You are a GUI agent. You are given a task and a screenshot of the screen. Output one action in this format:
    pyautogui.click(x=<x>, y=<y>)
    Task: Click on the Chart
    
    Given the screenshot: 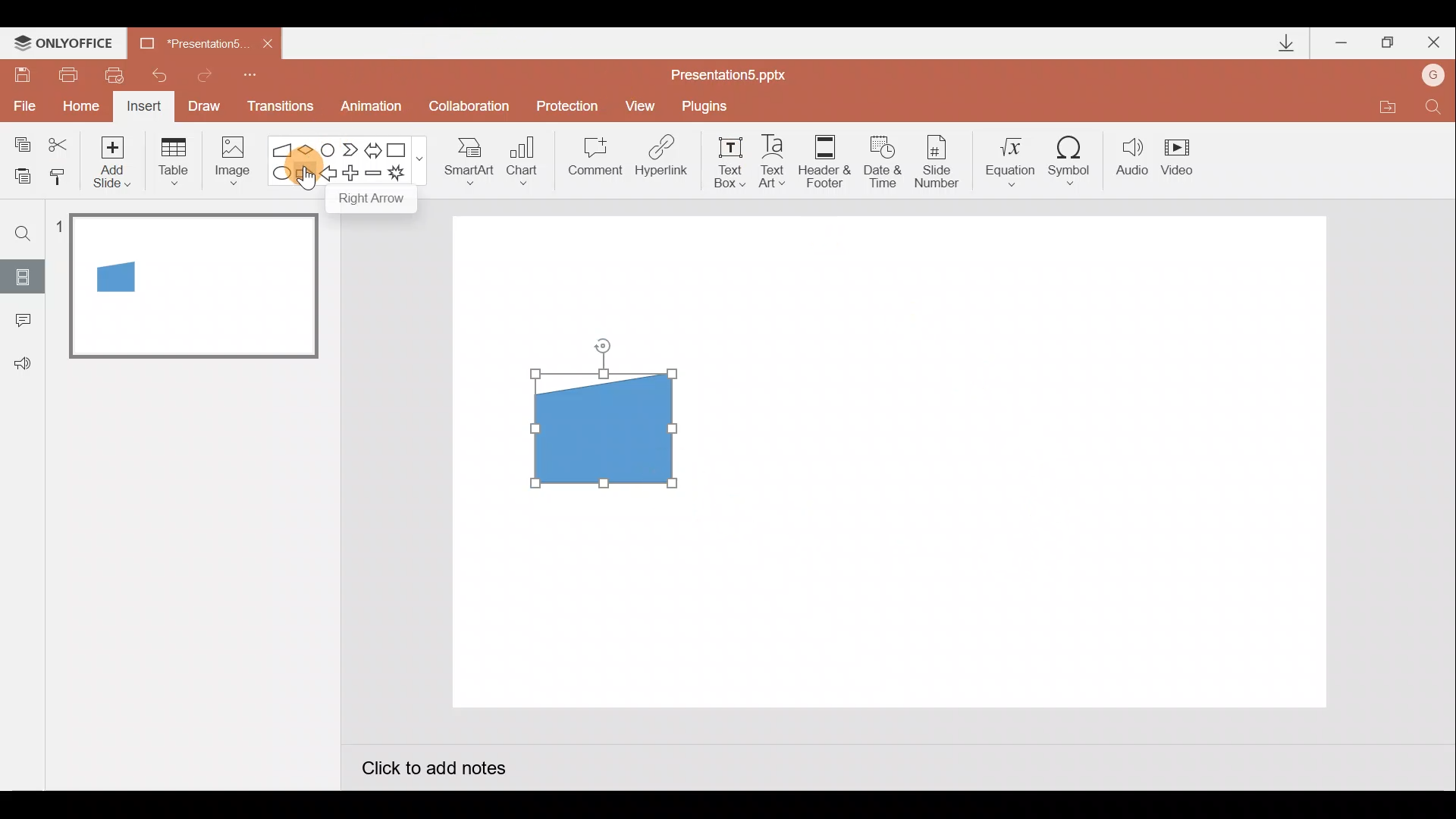 What is the action you would take?
    pyautogui.click(x=522, y=158)
    